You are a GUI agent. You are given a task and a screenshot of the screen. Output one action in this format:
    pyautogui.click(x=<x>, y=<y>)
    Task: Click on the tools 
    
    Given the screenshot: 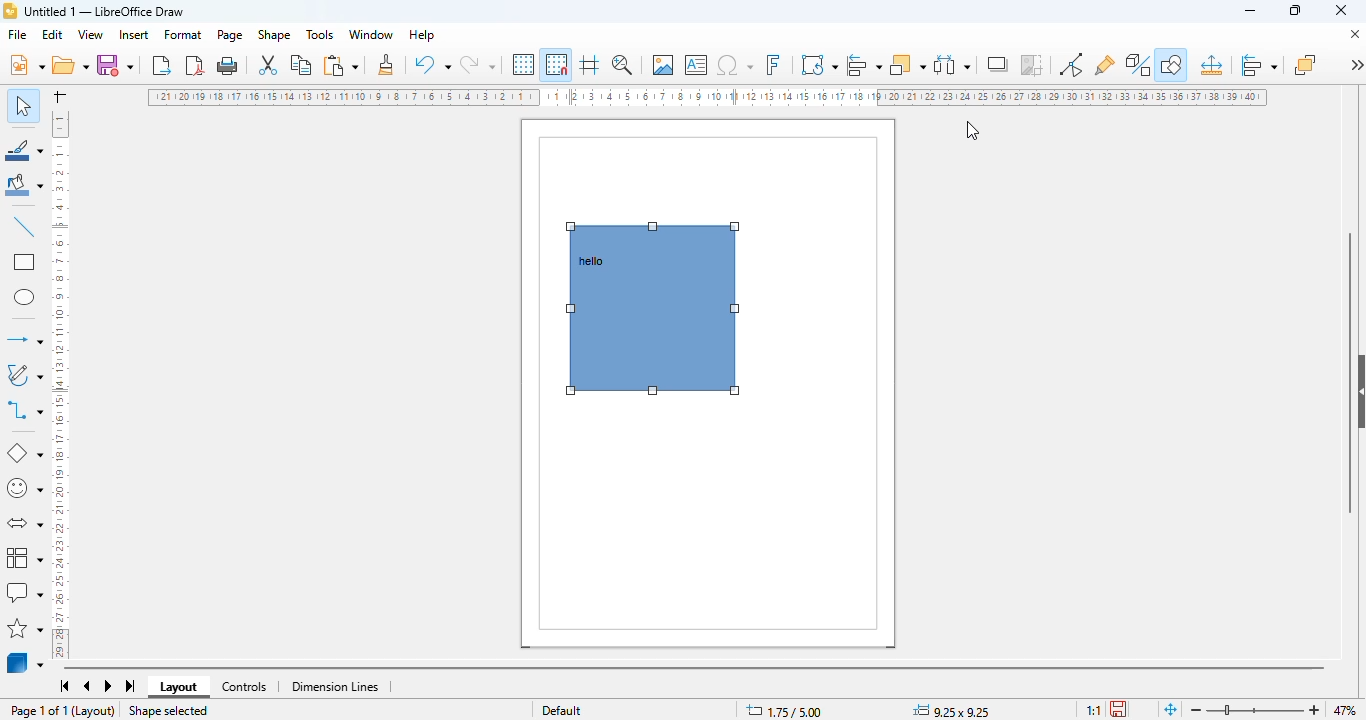 What is the action you would take?
    pyautogui.click(x=319, y=34)
    